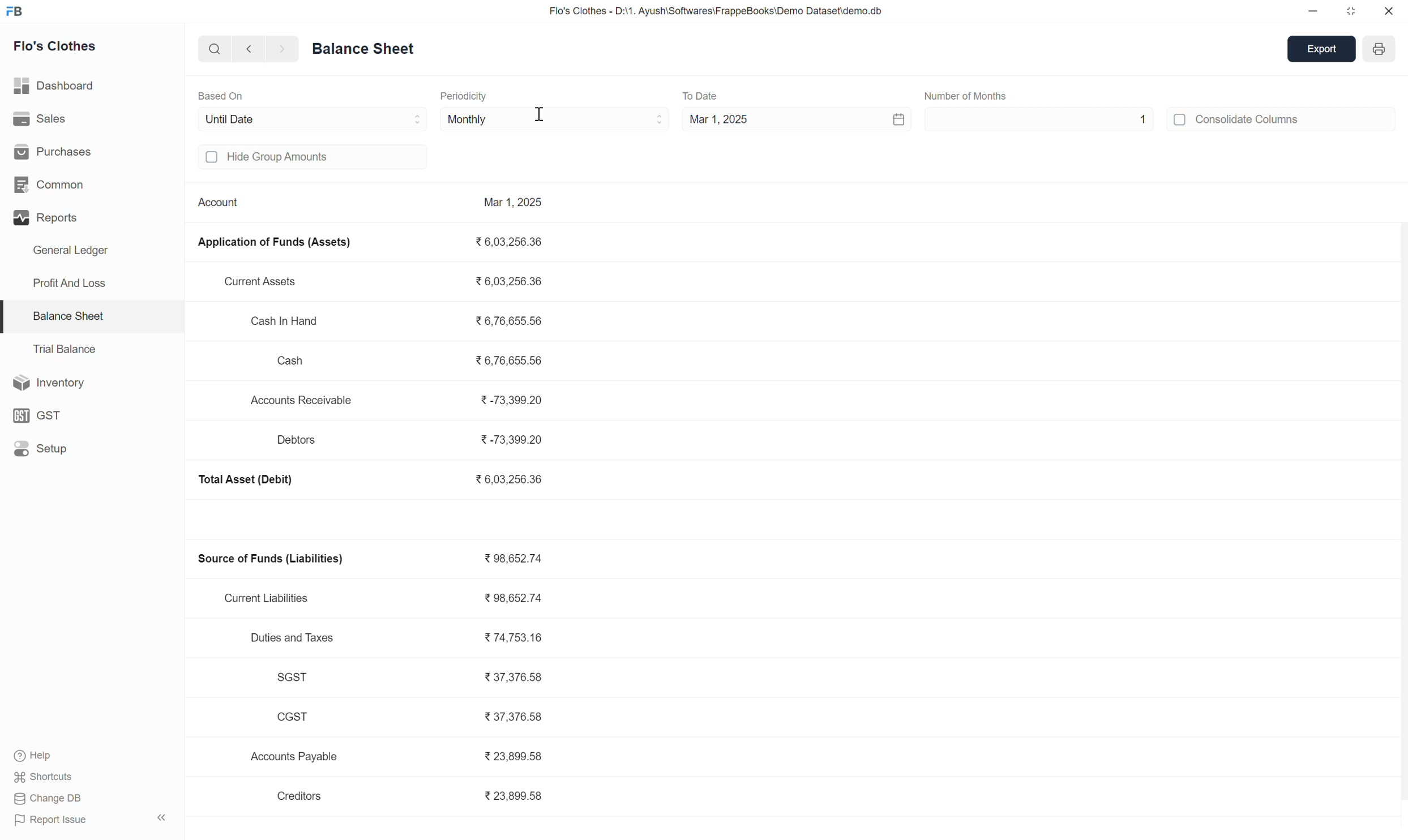 The image size is (1408, 840). Describe the element at coordinates (1180, 121) in the screenshot. I see `off` at that location.